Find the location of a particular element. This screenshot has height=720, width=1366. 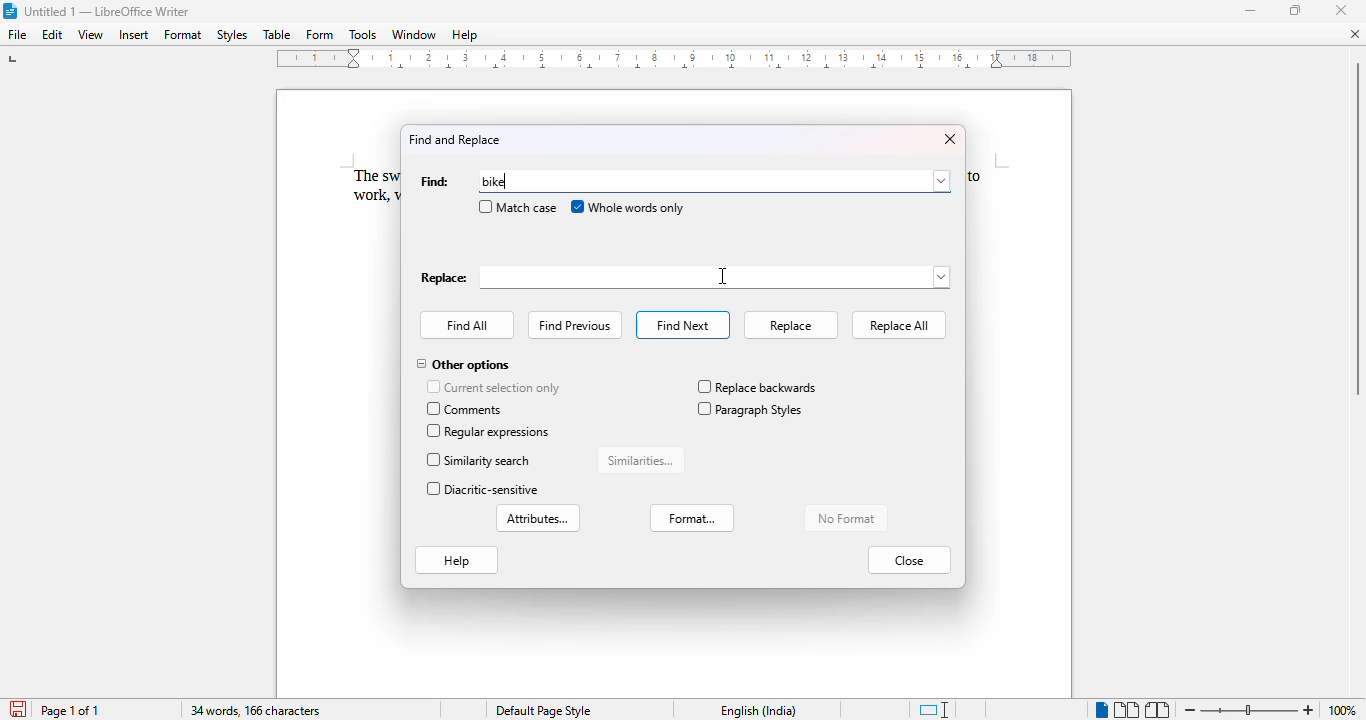

find next is located at coordinates (682, 325).